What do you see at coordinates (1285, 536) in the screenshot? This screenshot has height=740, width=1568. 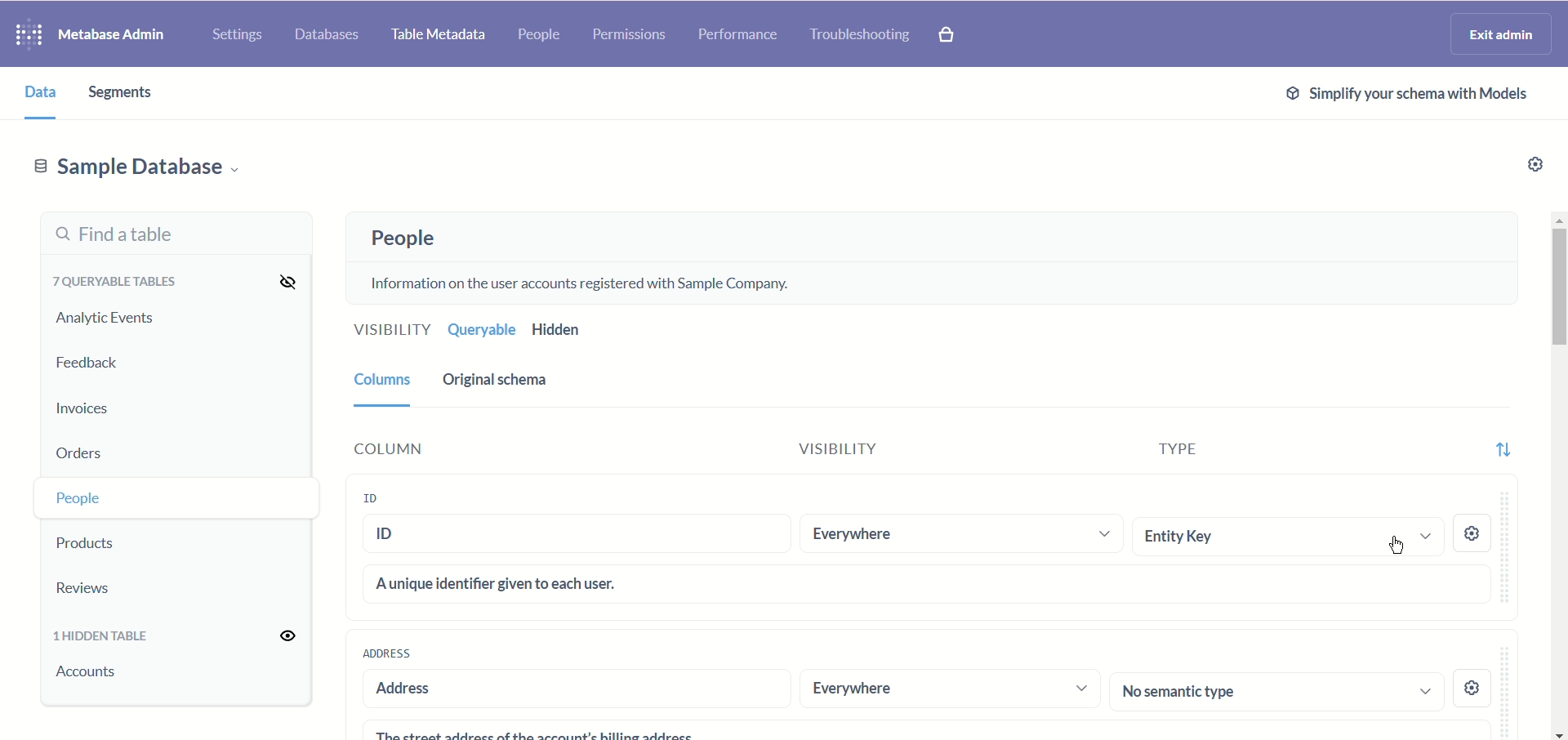 I see `Entity key` at bounding box center [1285, 536].